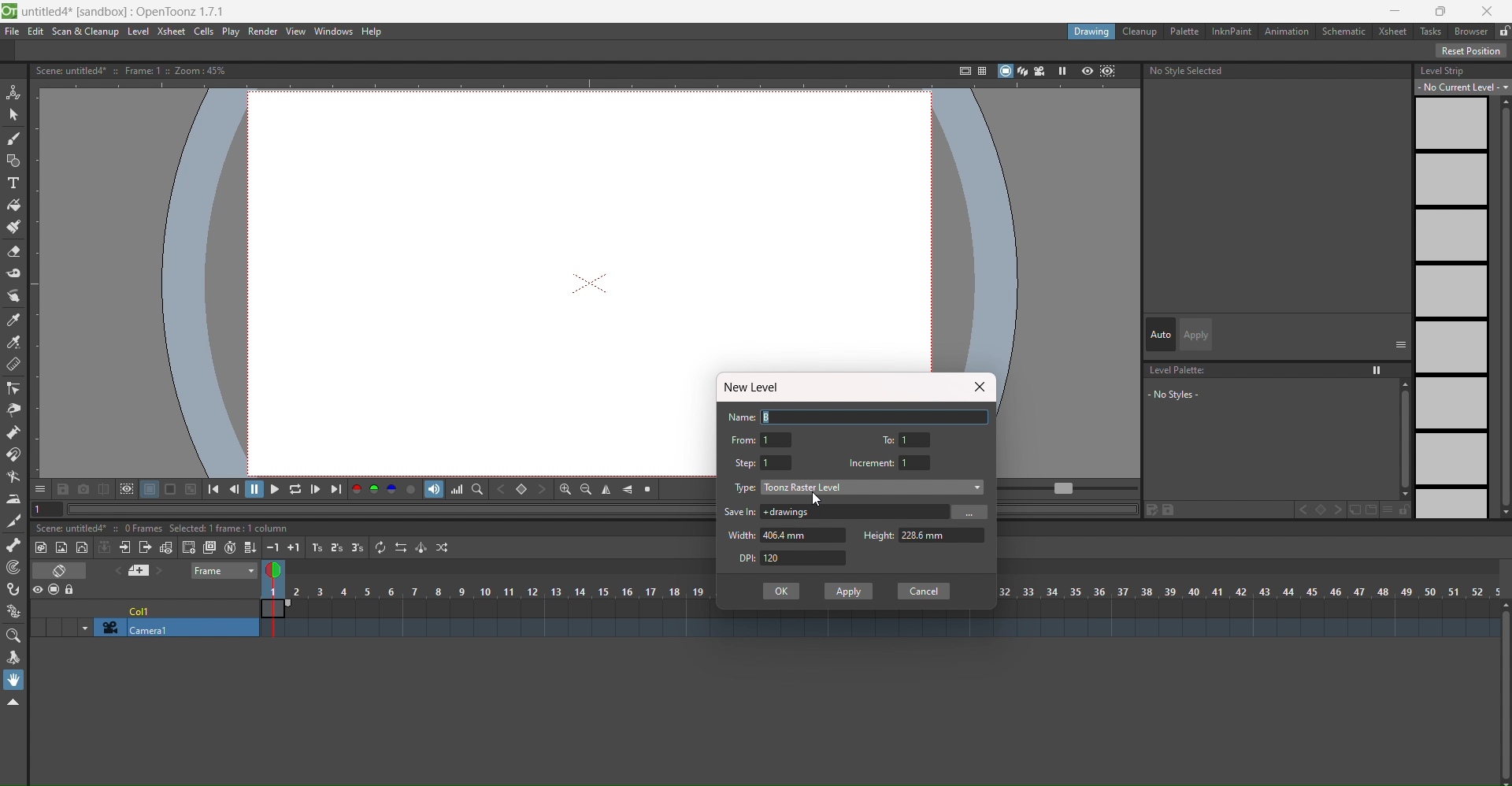 This screenshot has width=1512, height=786. What do you see at coordinates (105, 547) in the screenshot?
I see `collapse` at bounding box center [105, 547].